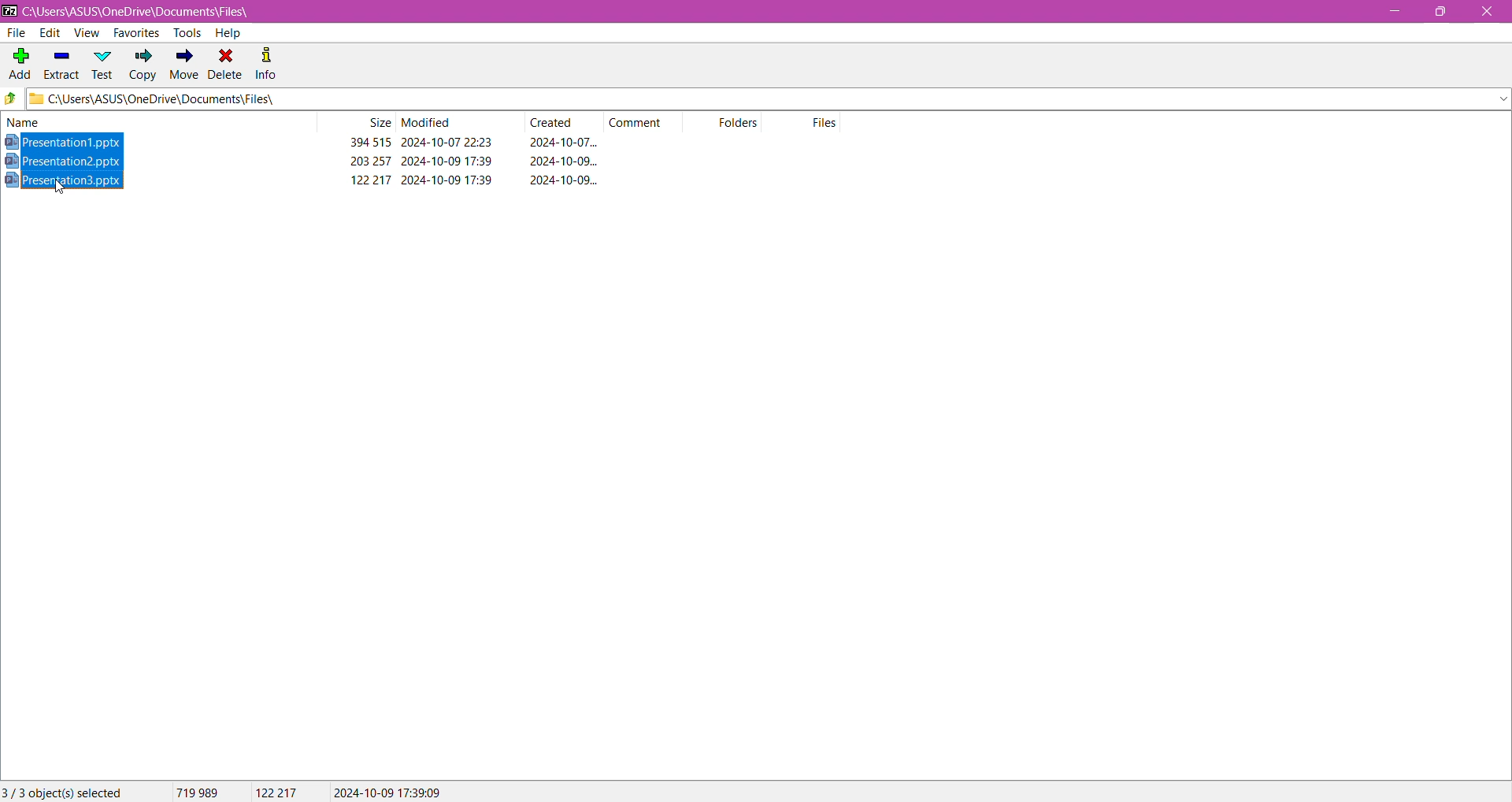 This screenshot has width=1512, height=802. Describe the element at coordinates (135, 34) in the screenshot. I see `Favorites` at that location.